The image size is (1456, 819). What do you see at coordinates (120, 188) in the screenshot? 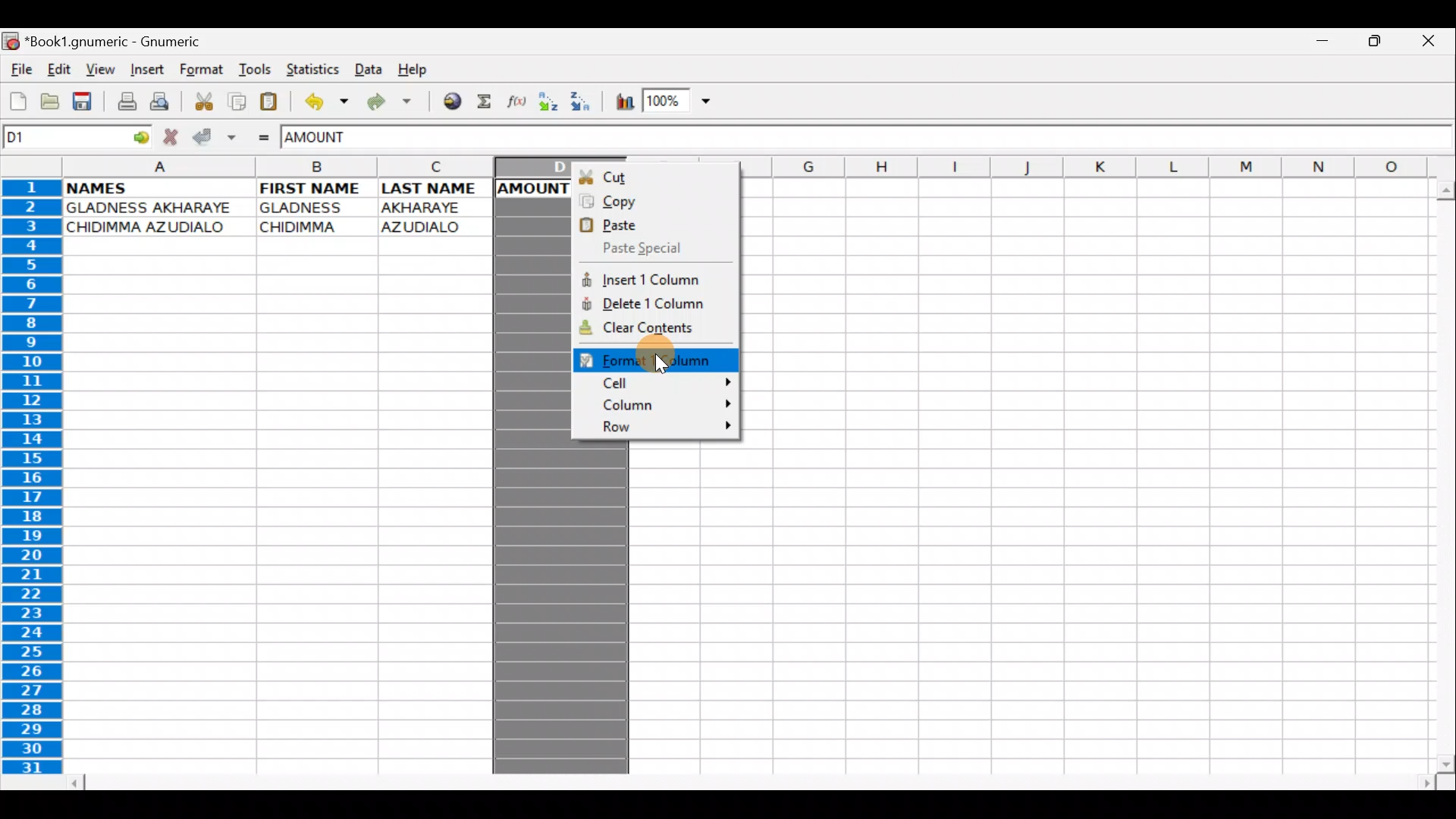
I see `NAMES` at bounding box center [120, 188].